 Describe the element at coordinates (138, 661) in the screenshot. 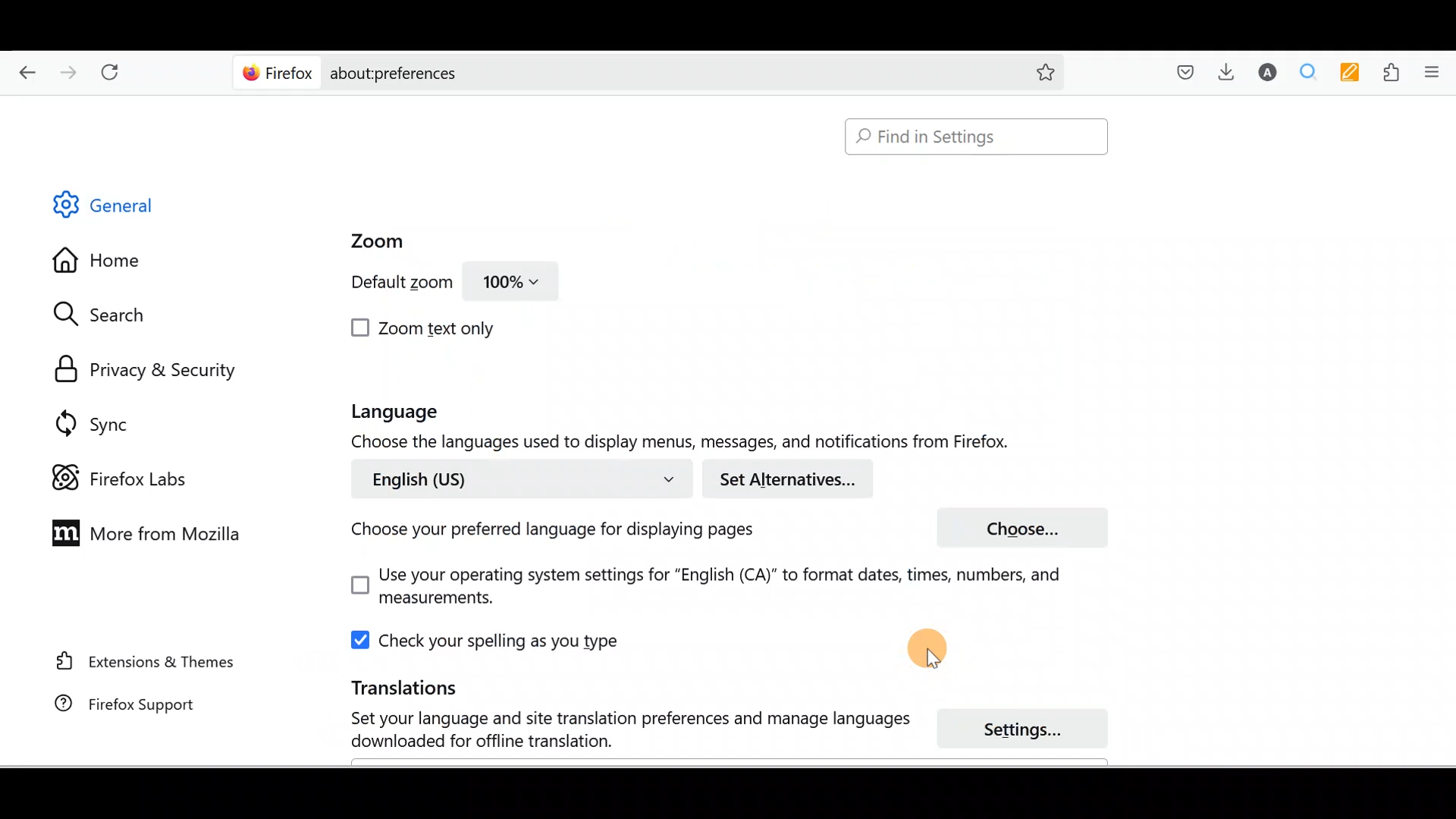

I see `Extension & Themes` at that location.